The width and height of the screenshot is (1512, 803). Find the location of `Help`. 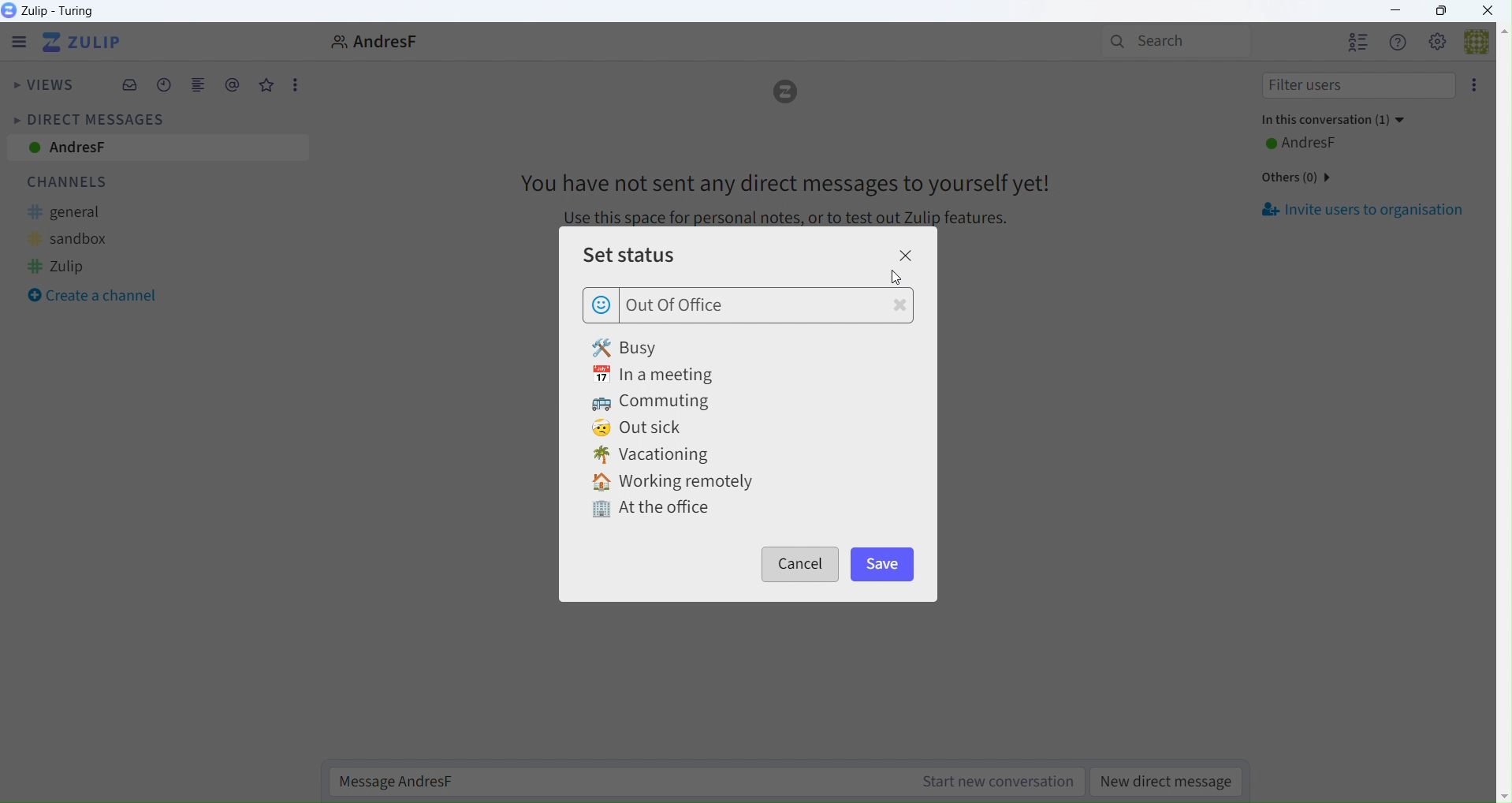

Help is located at coordinates (1398, 43).